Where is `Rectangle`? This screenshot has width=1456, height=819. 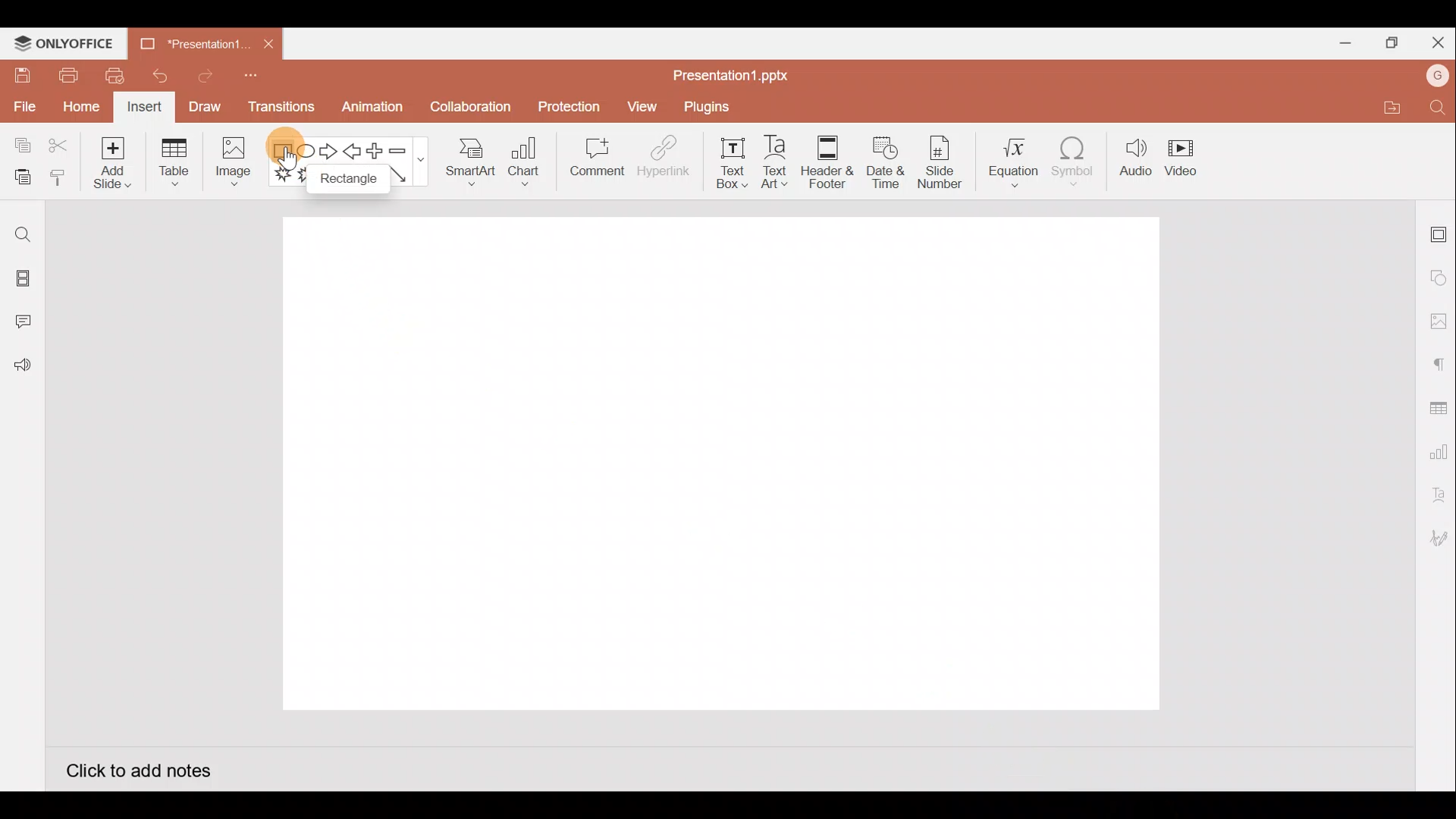
Rectangle is located at coordinates (284, 152).